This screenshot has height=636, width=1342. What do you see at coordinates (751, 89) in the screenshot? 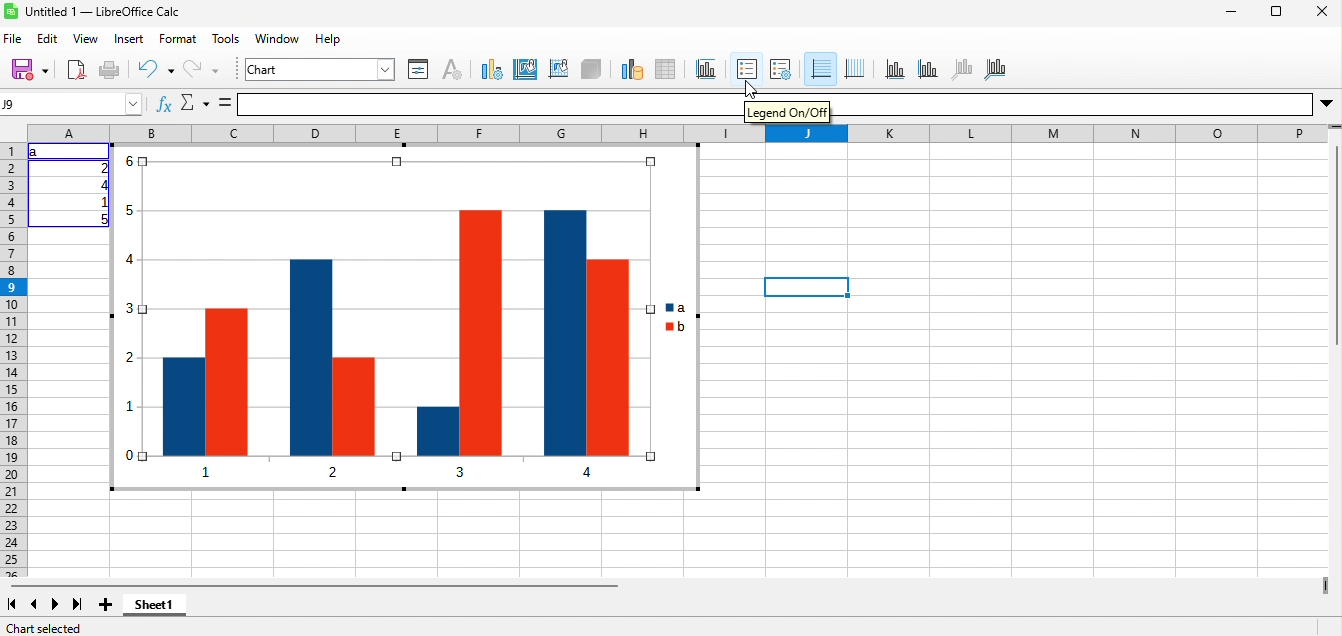
I see `Cursor` at bounding box center [751, 89].